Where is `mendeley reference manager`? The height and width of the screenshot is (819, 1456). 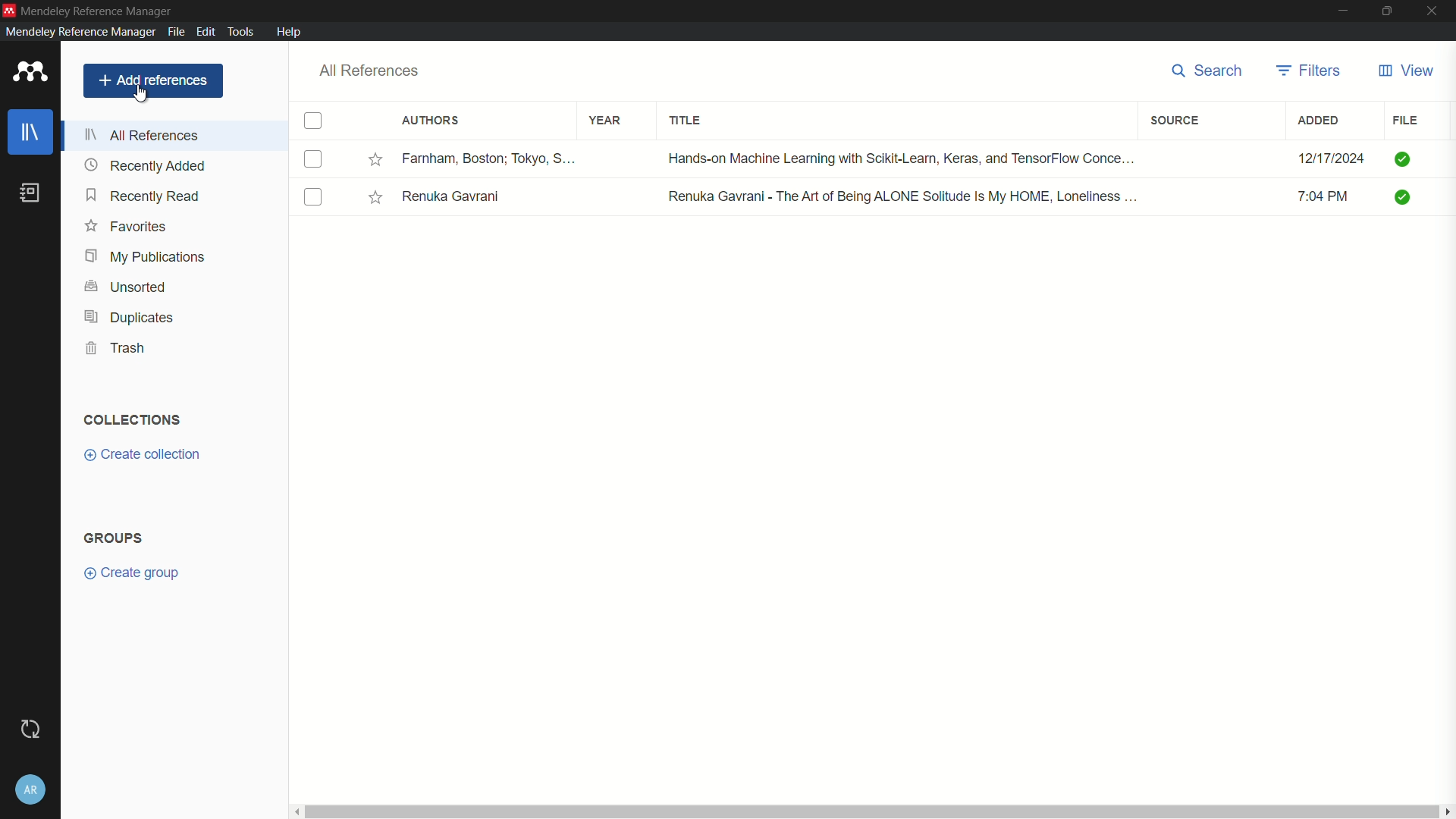 mendeley reference manager is located at coordinates (98, 12).